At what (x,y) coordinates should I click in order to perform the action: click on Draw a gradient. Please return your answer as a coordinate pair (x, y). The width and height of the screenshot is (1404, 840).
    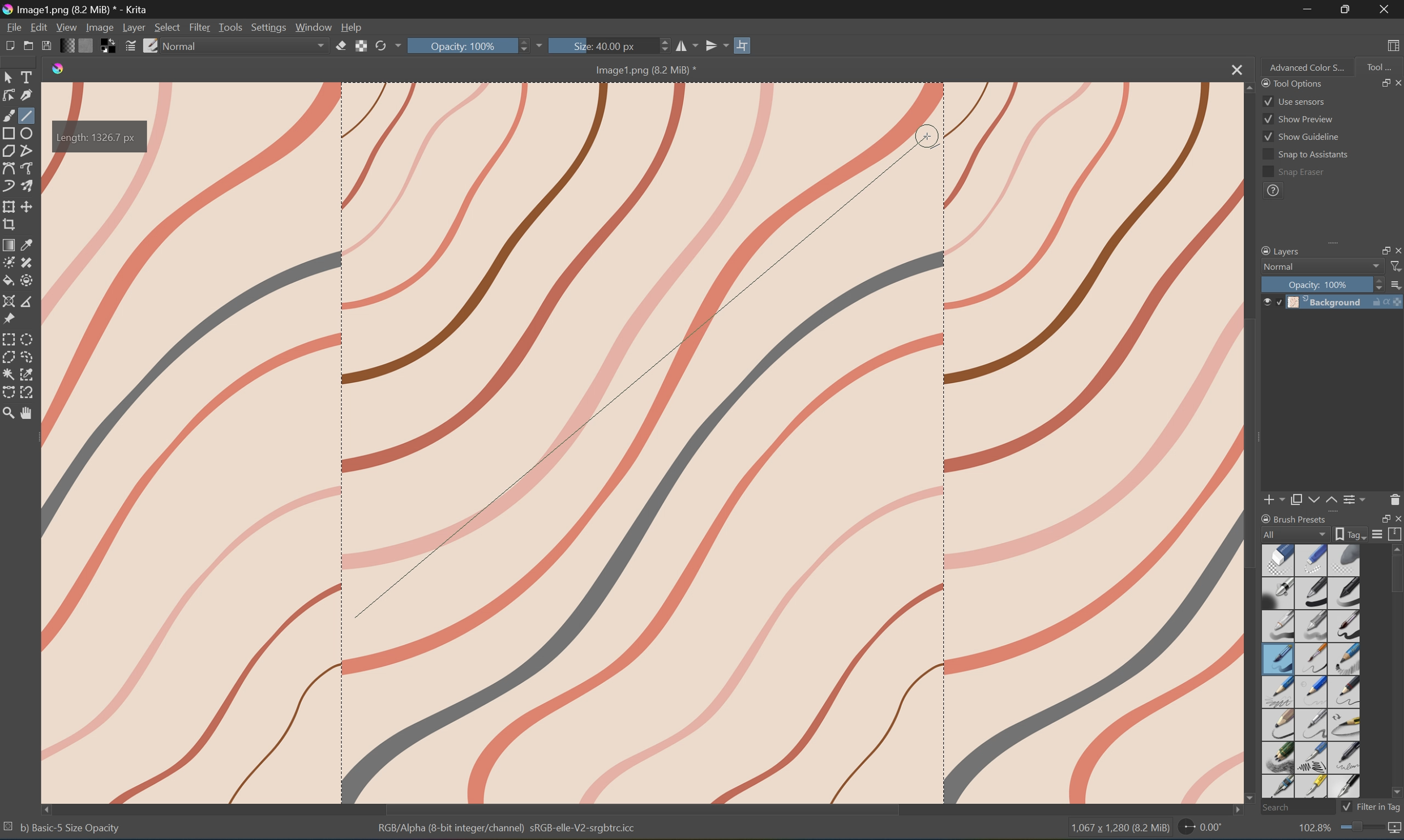
    Looking at the image, I should click on (10, 244).